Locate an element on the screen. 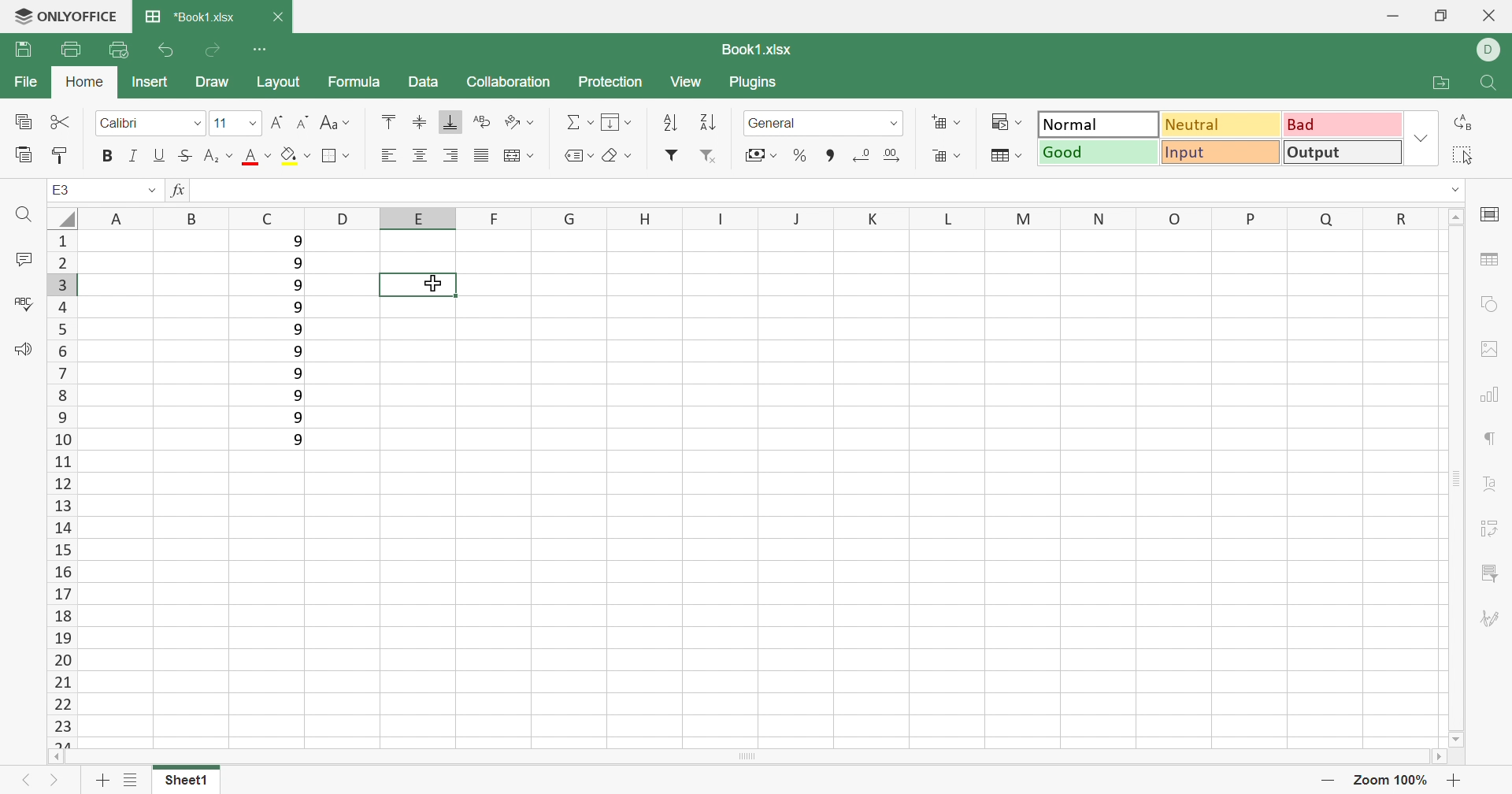  9 is located at coordinates (297, 305).